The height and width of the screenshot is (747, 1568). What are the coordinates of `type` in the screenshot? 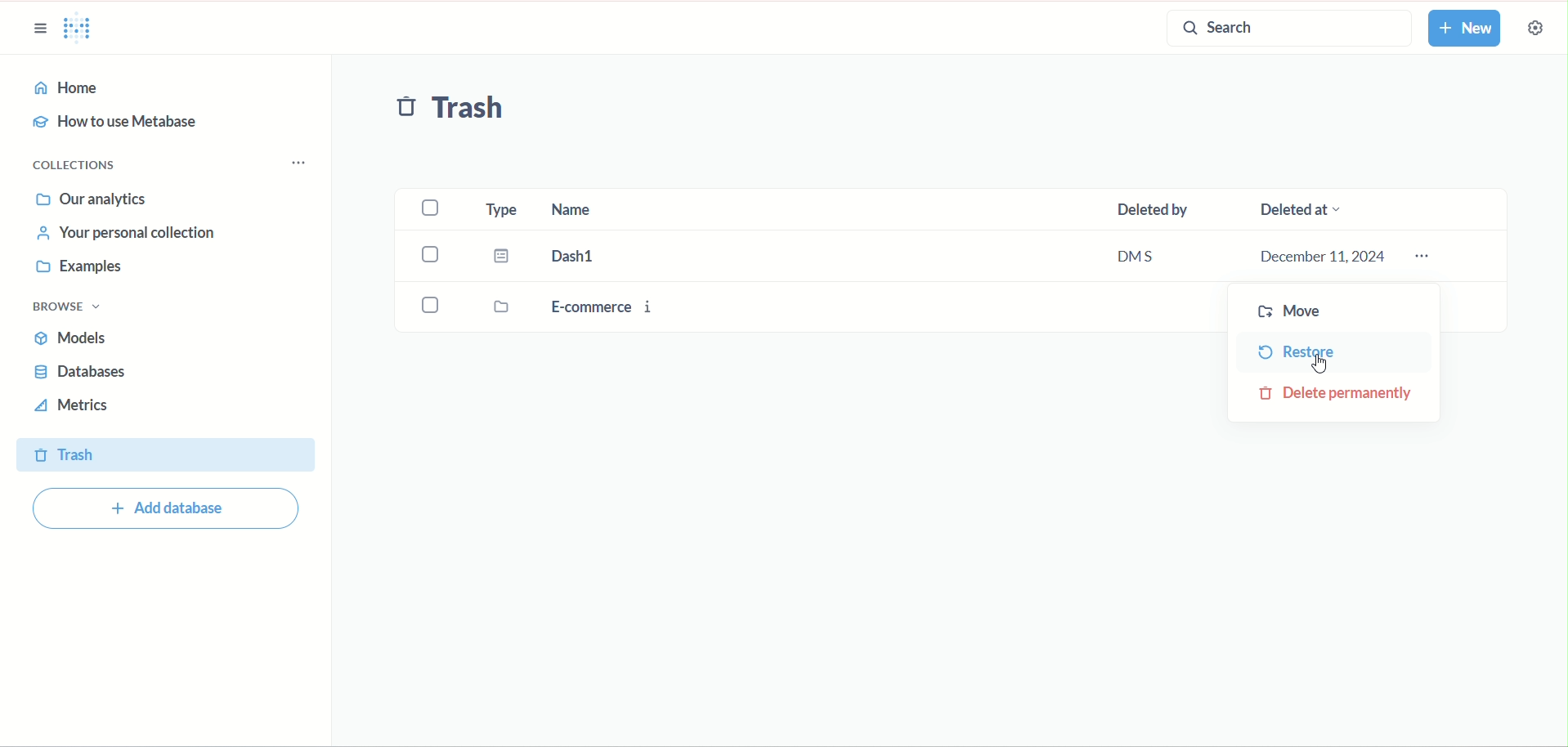 It's located at (501, 209).